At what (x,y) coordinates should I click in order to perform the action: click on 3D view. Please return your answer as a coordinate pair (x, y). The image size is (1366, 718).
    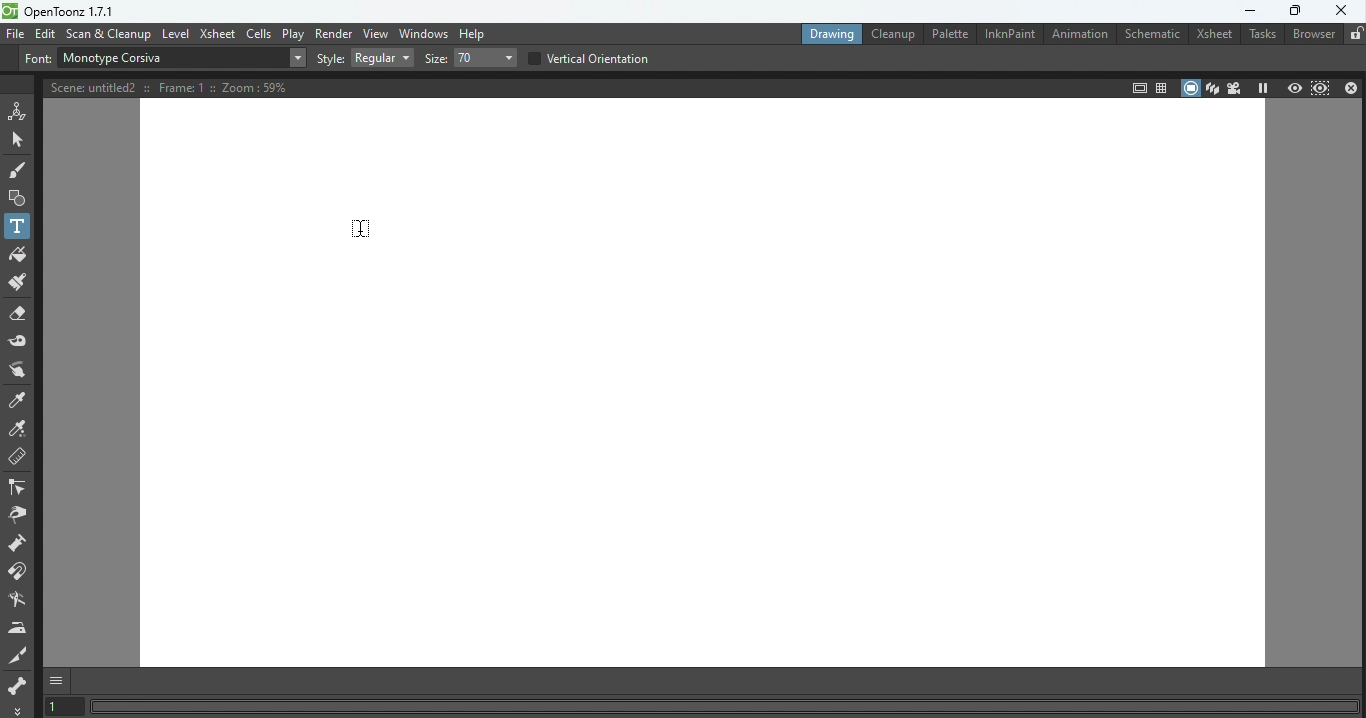
    Looking at the image, I should click on (1211, 89).